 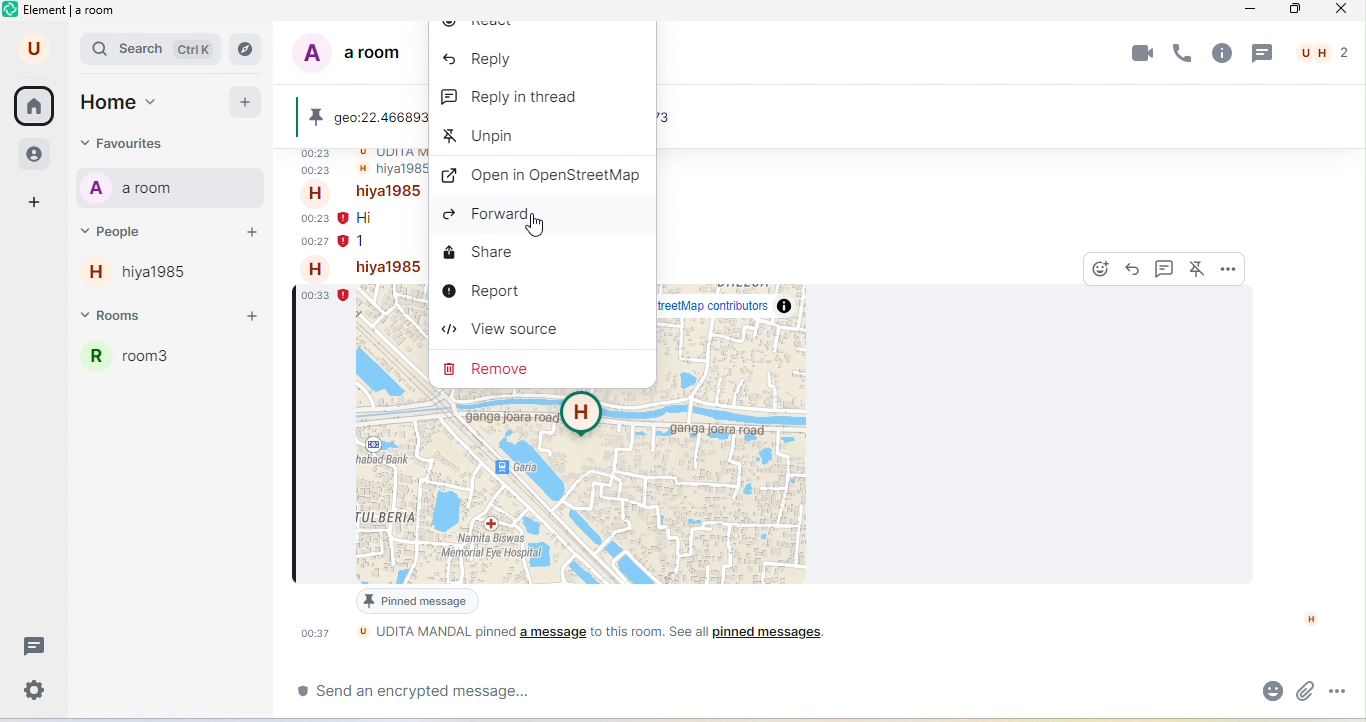 I want to click on report, so click(x=482, y=292).